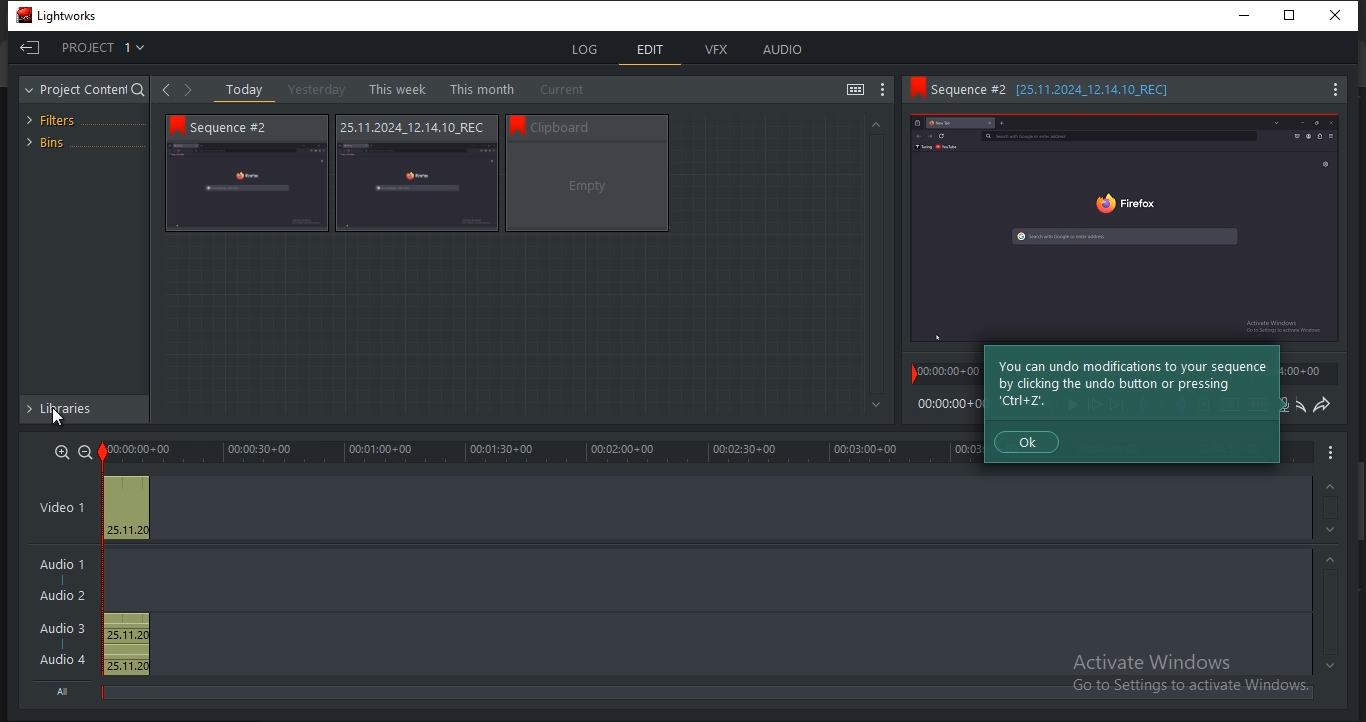 Image resolution: width=1366 pixels, height=722 pixels. Describe the element at coordinates (1075, 90) in the screenshot. I see `Sequence information` at that location.